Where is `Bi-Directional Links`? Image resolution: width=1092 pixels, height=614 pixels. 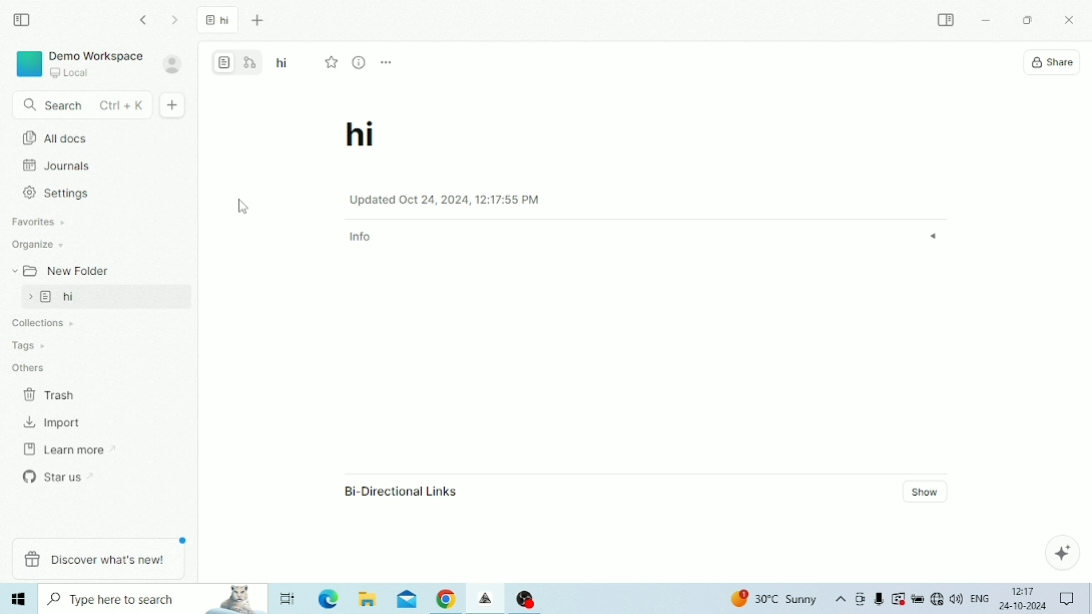
Bi-Directional Links is located at coordinates (400, 491).